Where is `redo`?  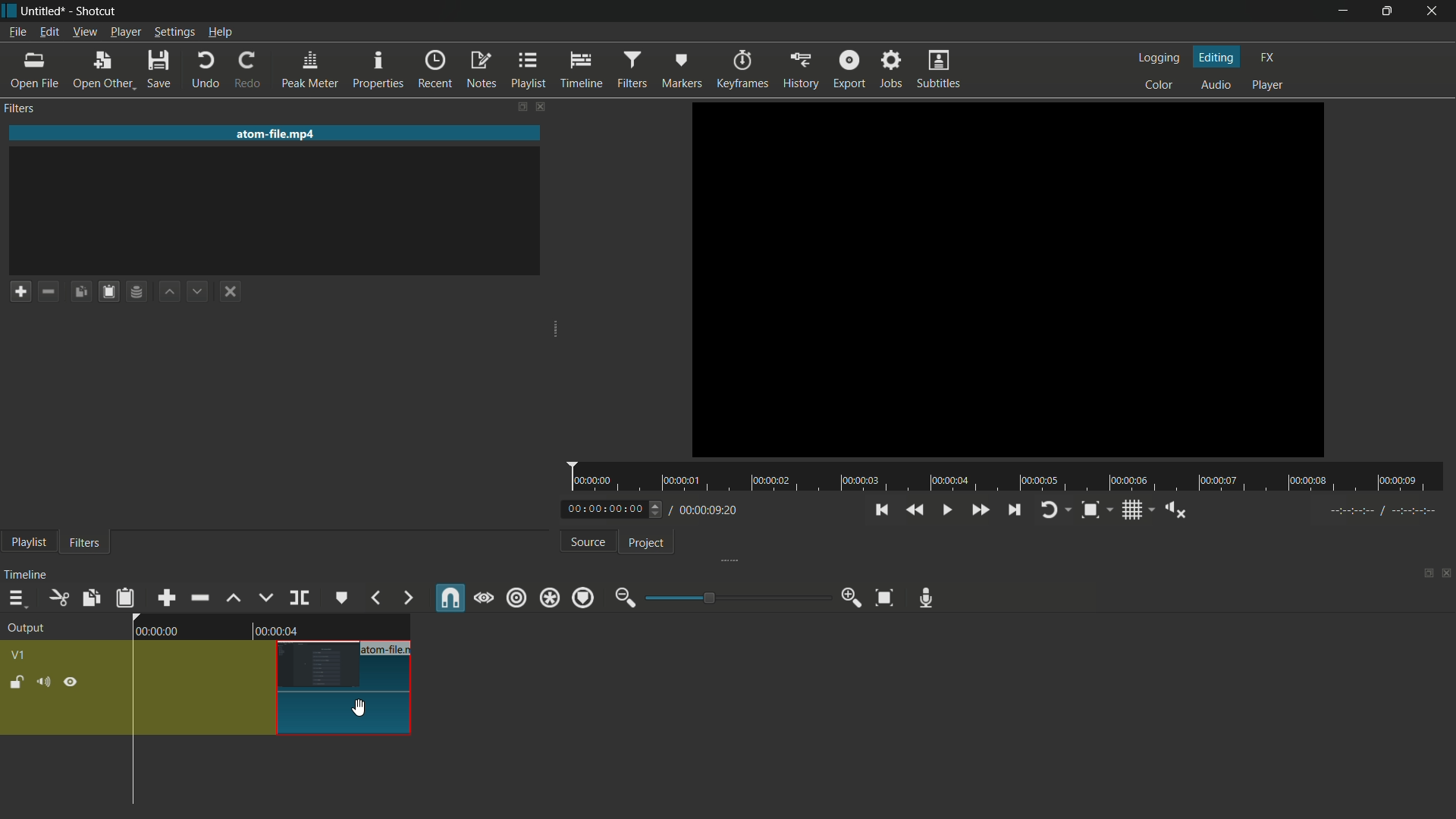 redo is located at coordinates (245, 71).